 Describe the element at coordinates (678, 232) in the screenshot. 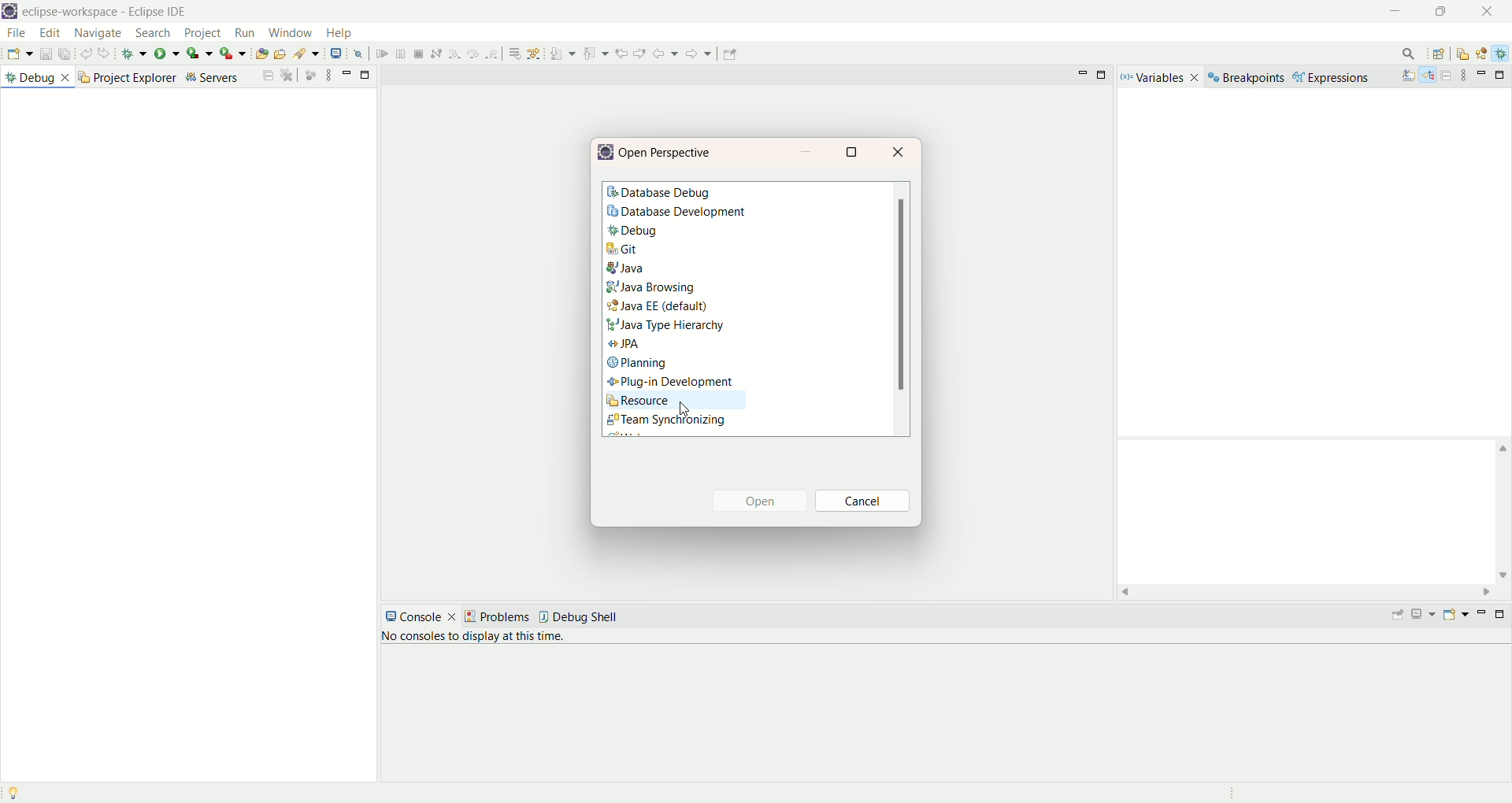

I see `debug` at that location.